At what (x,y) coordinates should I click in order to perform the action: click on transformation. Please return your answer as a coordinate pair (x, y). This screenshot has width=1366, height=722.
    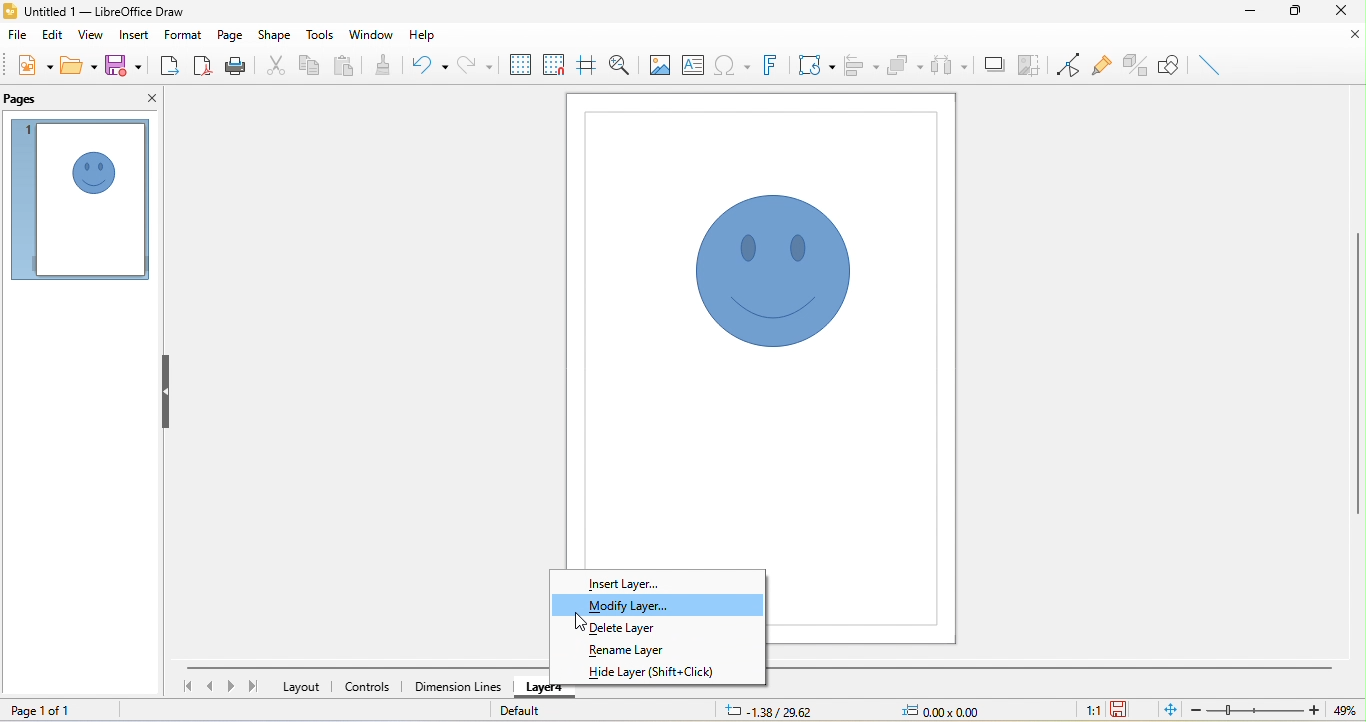
    Looking at the image, I should click on (817, 64).